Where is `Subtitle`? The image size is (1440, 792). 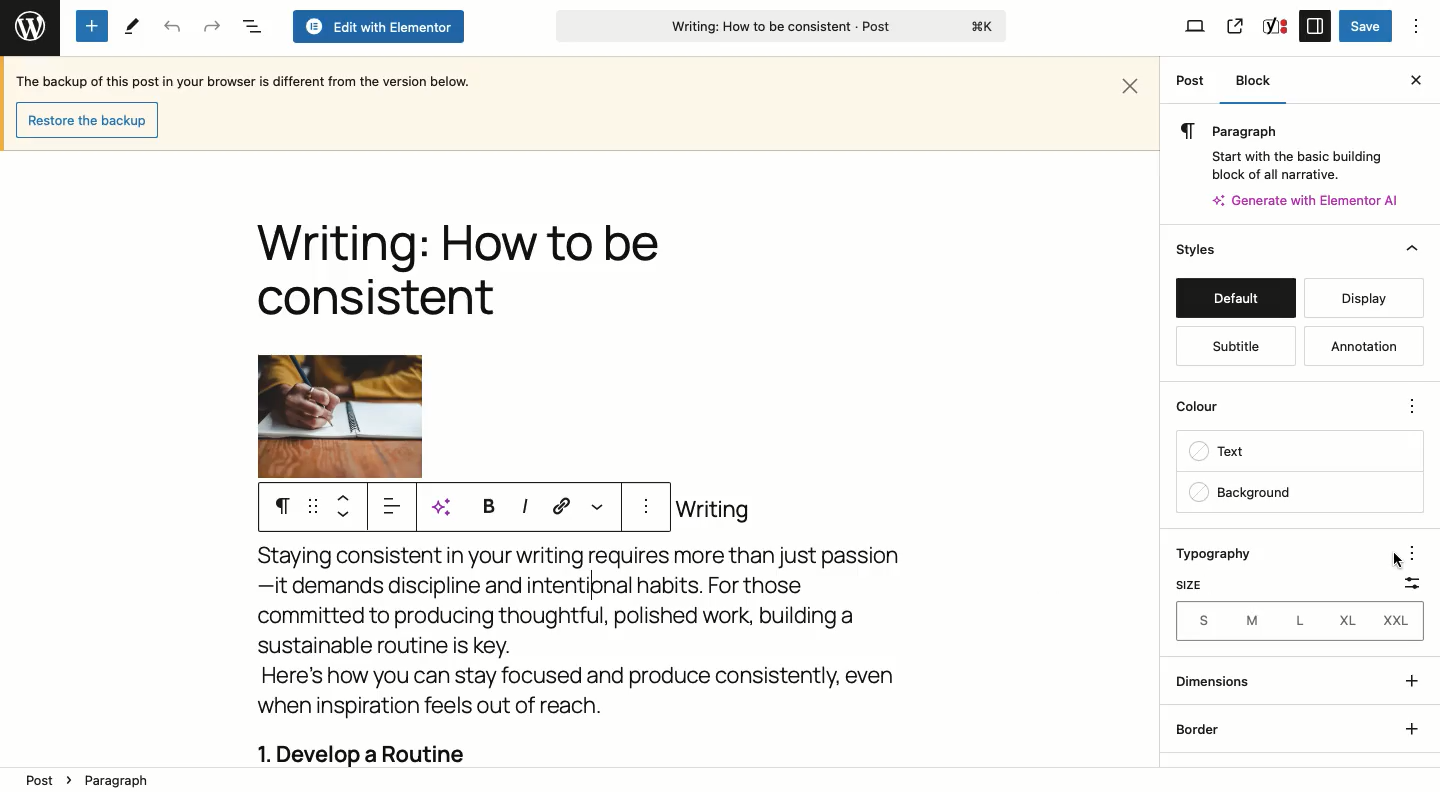
Subtitle is located at coordinates (1235, 347).